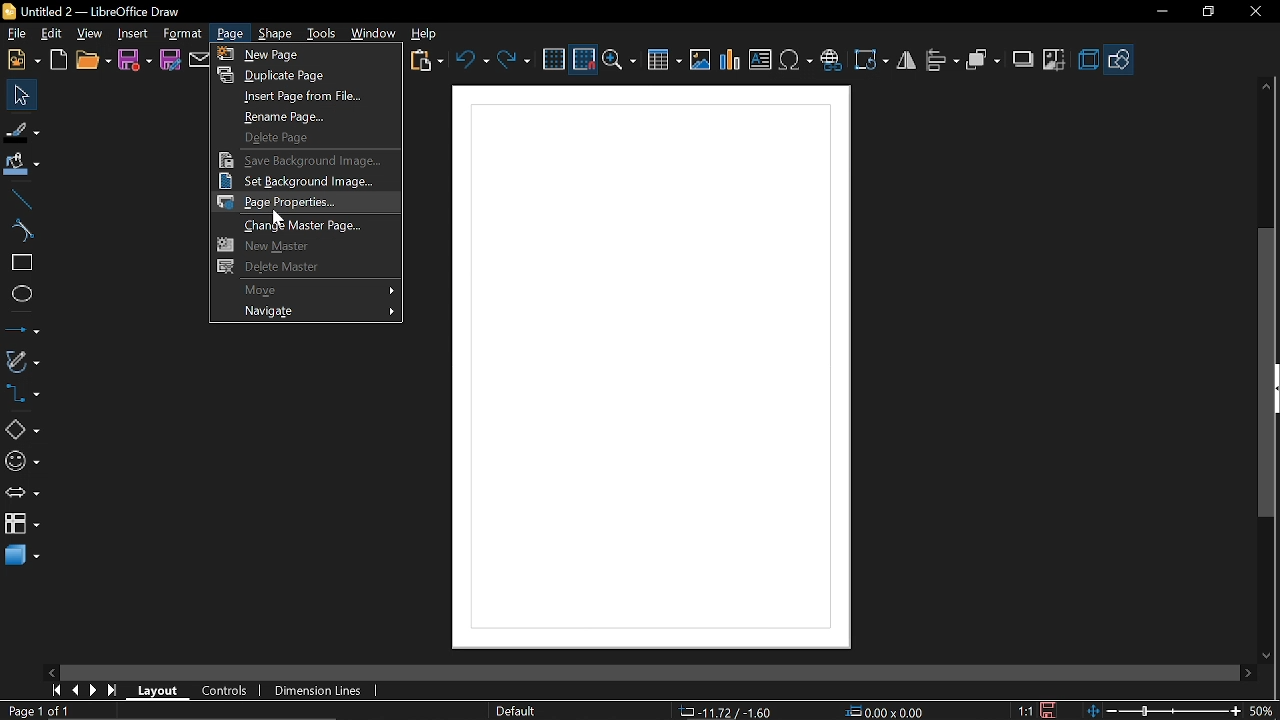 This screenshot has height=720, width=1280. What do you see at coordinates (38, 711) in the screenshot?
I see `Current page` at bounding box center [38, 711].